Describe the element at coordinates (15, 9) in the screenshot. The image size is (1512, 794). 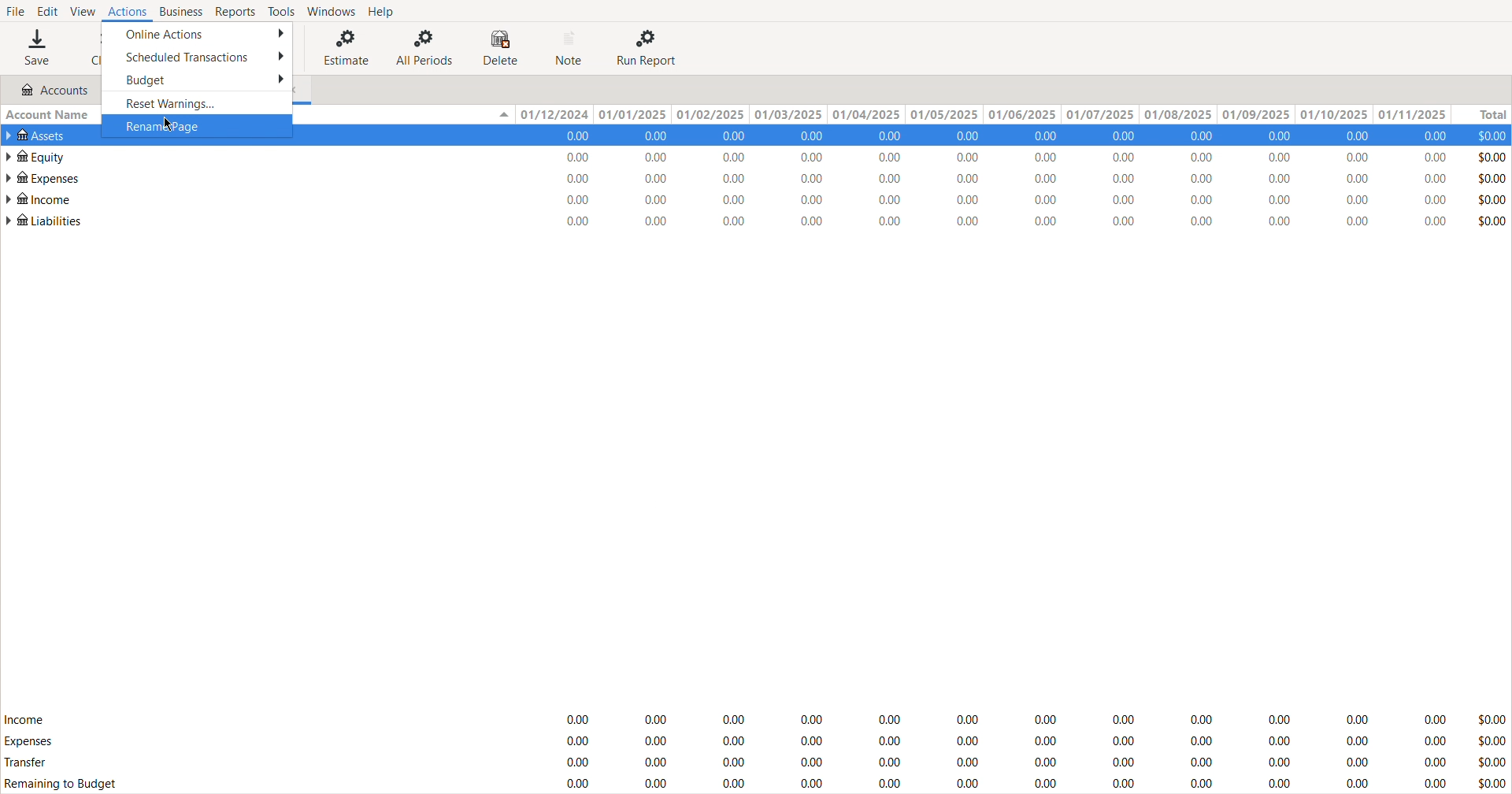
I see `File` at that location.